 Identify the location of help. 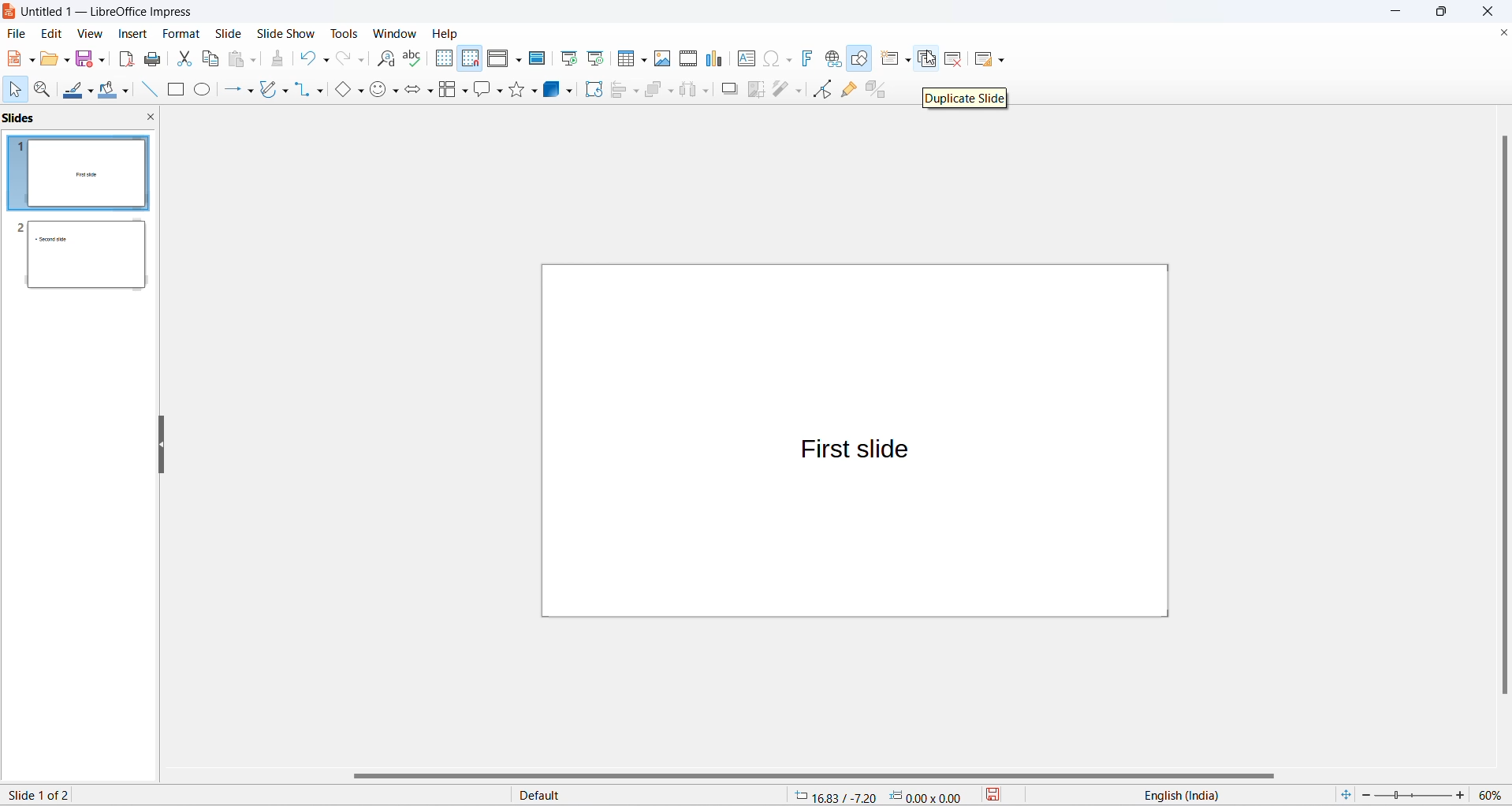
(445, 32).